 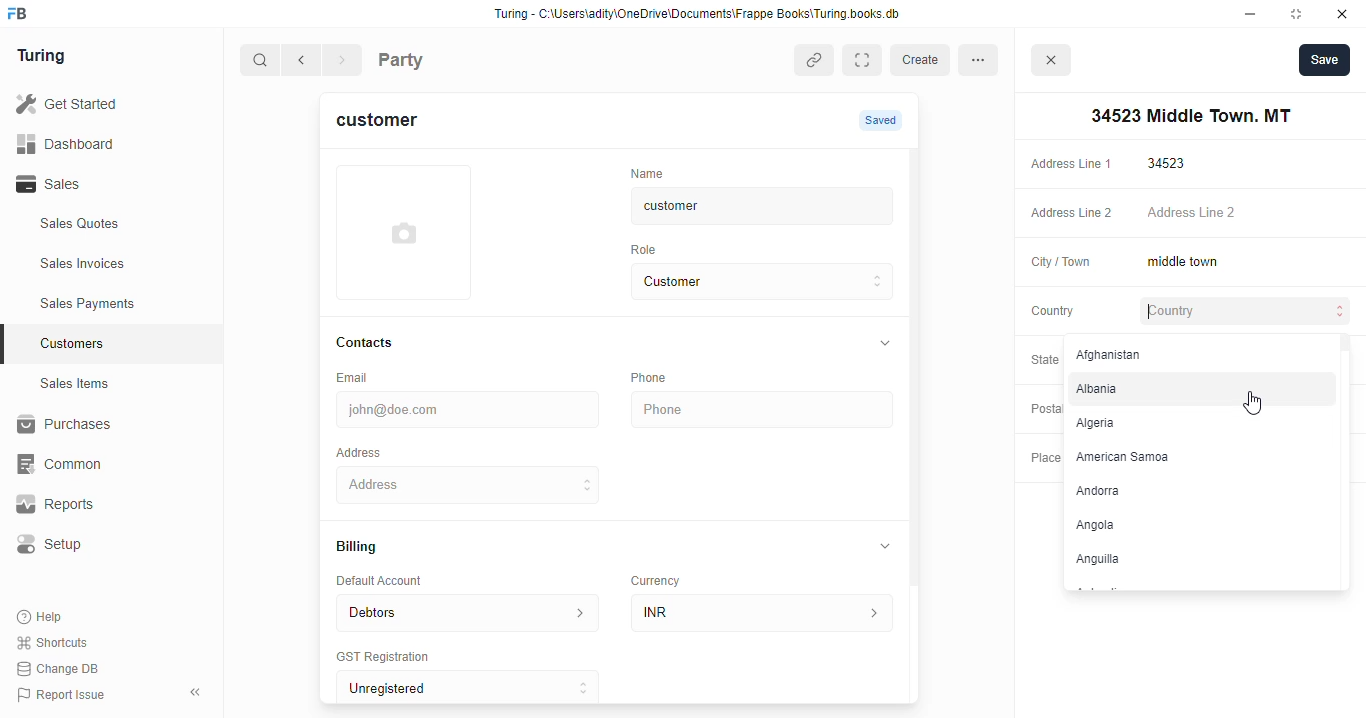 What do you see at coordinates (42, 618) in the screenshot?
I see `Help` at bounding box center [42, 618].